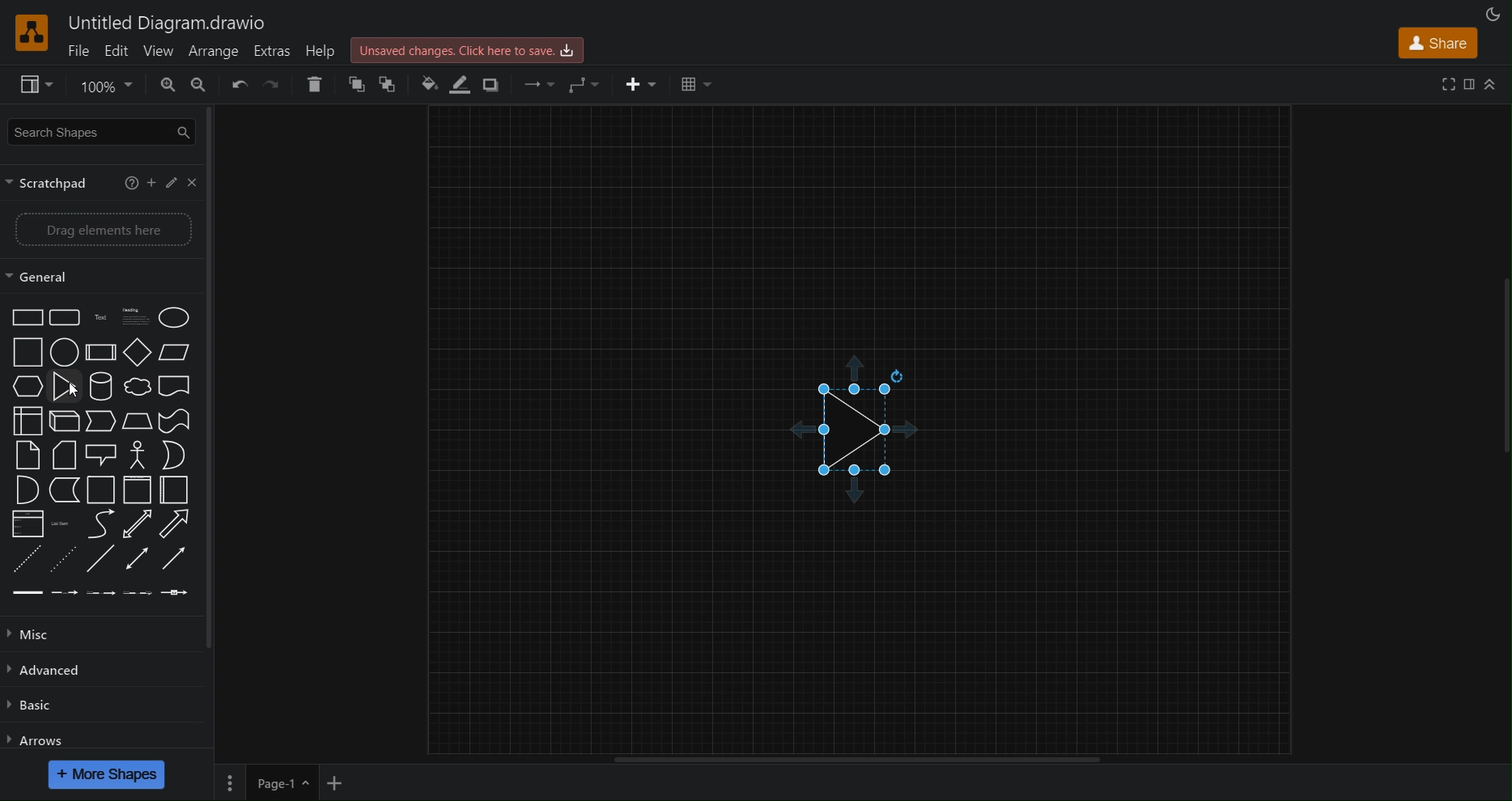 The width and height of the screenshot is (1512, 801). Describe the element at coordinates (171, 85) in the screenshot. I see `Zoom In` at that location.